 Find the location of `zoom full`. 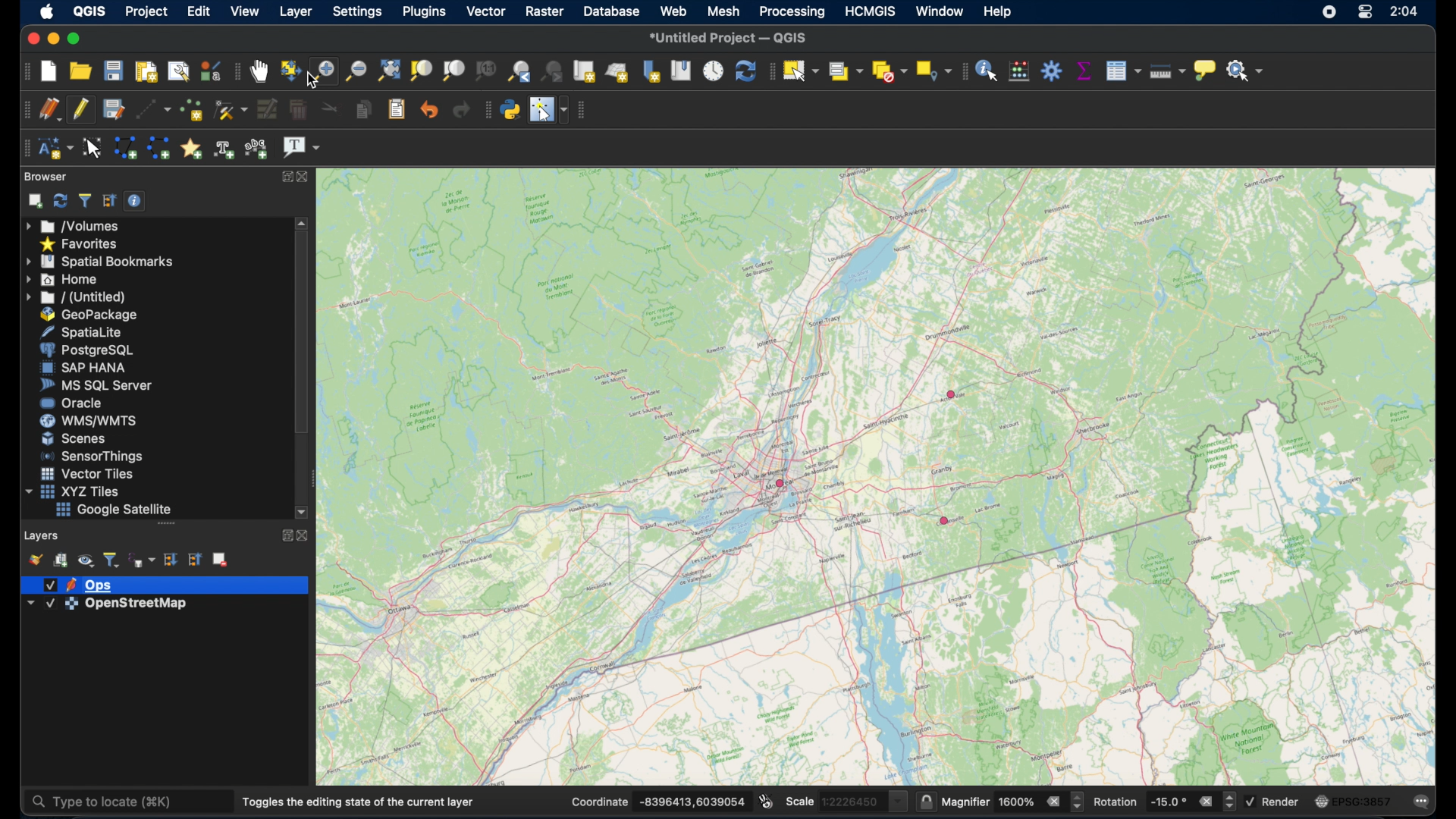

zoom full is located at coordinates (388, 72).